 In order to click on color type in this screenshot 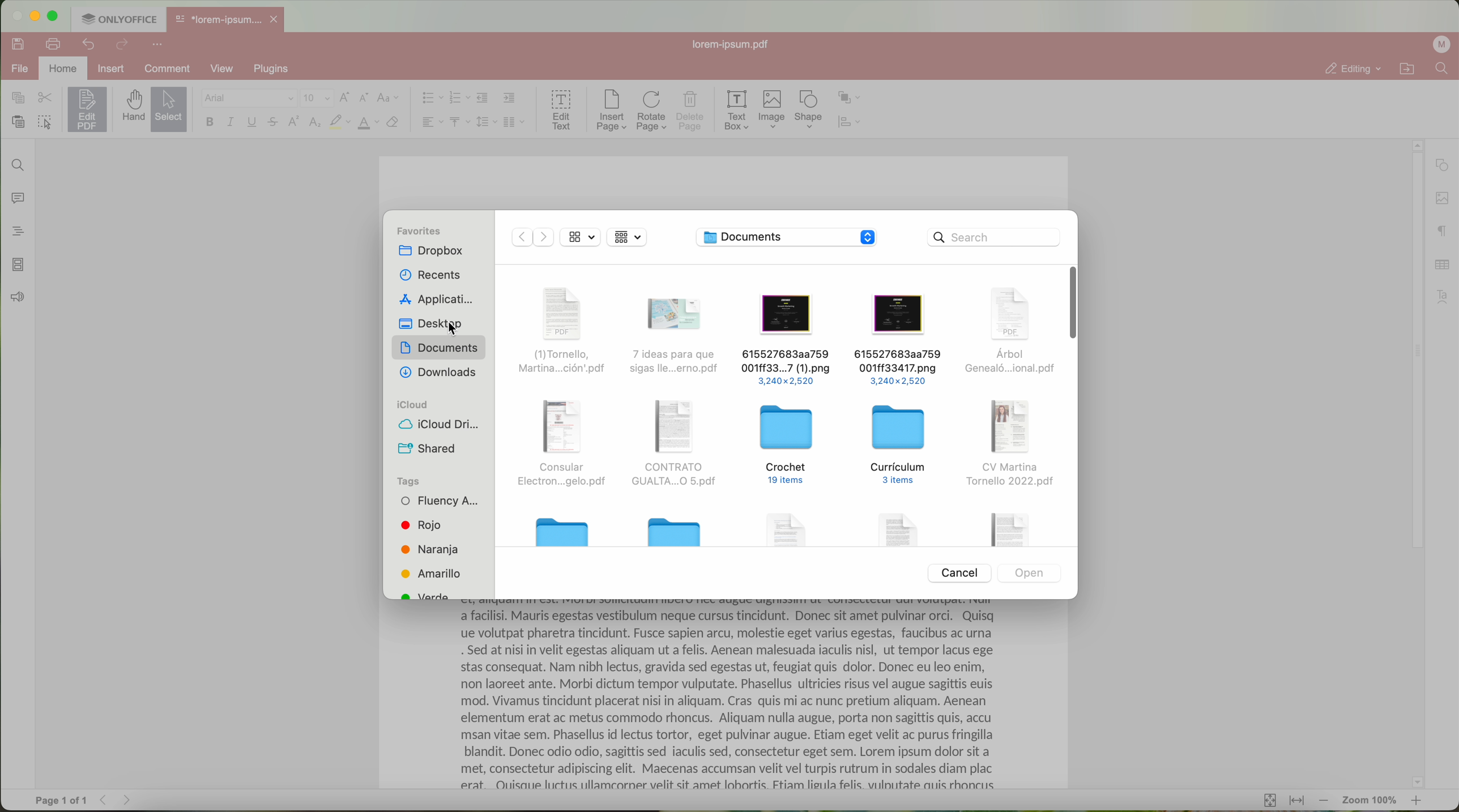, I will do `click(369, 123)`.